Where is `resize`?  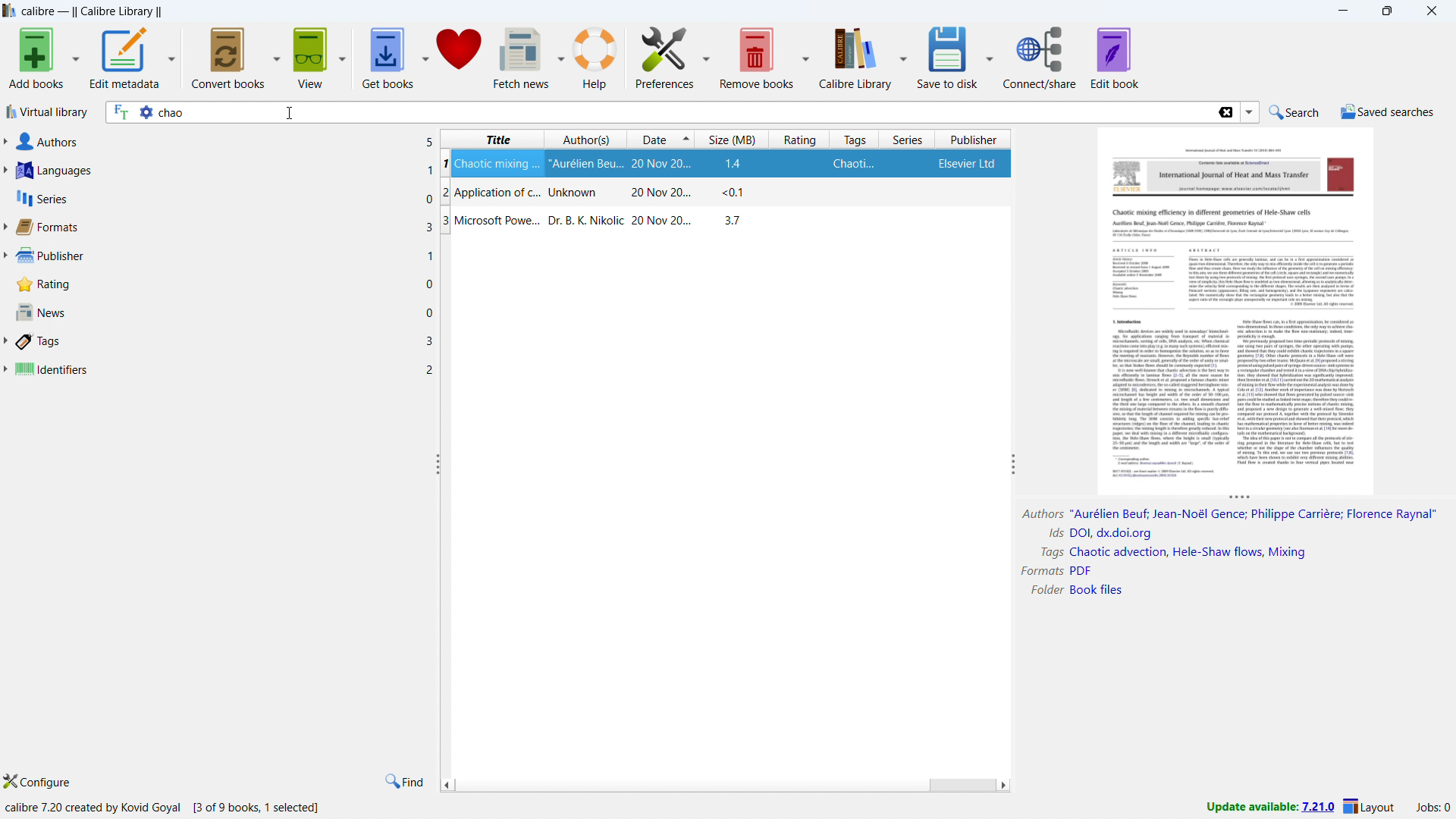
resize is located at coordinates (1013, 465).